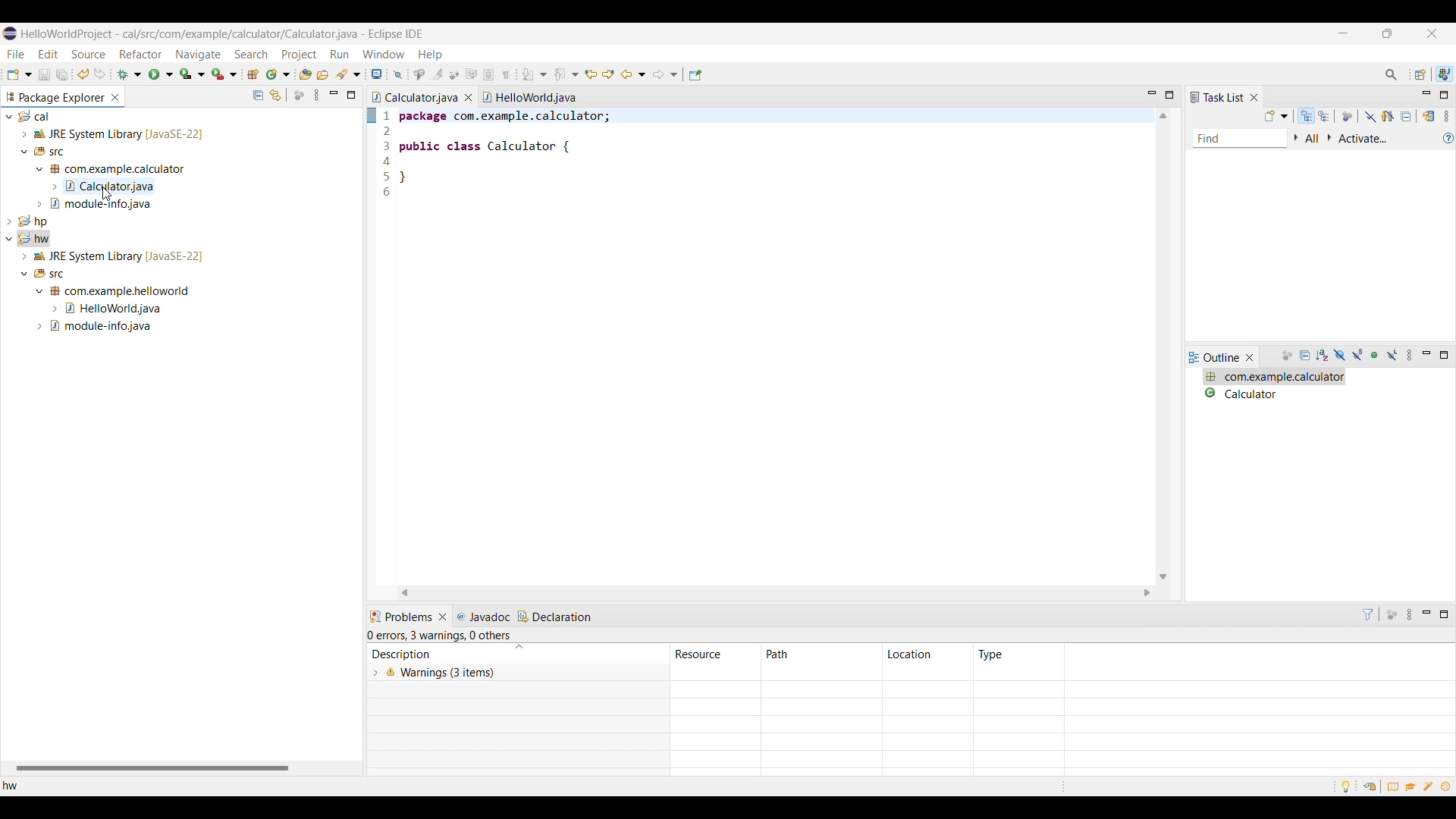 The width and height of the screenshot is (1456, 819). Describe the element at coordinates (152, 769) in the screenshot. I see `Horizontal slide bar` at that location.